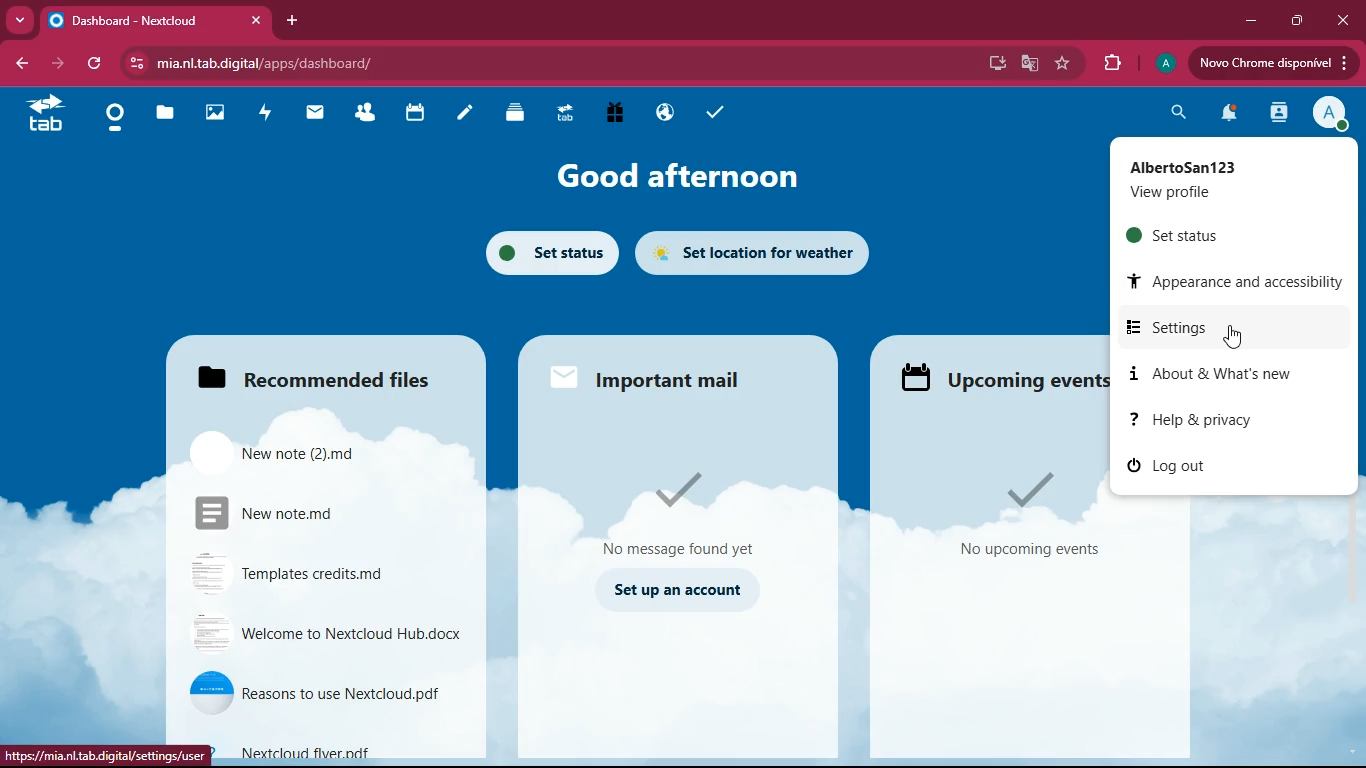  What do you see at coordinates (215, 115) in the screenshot?
I see `images` at bounding box center [215, 115].